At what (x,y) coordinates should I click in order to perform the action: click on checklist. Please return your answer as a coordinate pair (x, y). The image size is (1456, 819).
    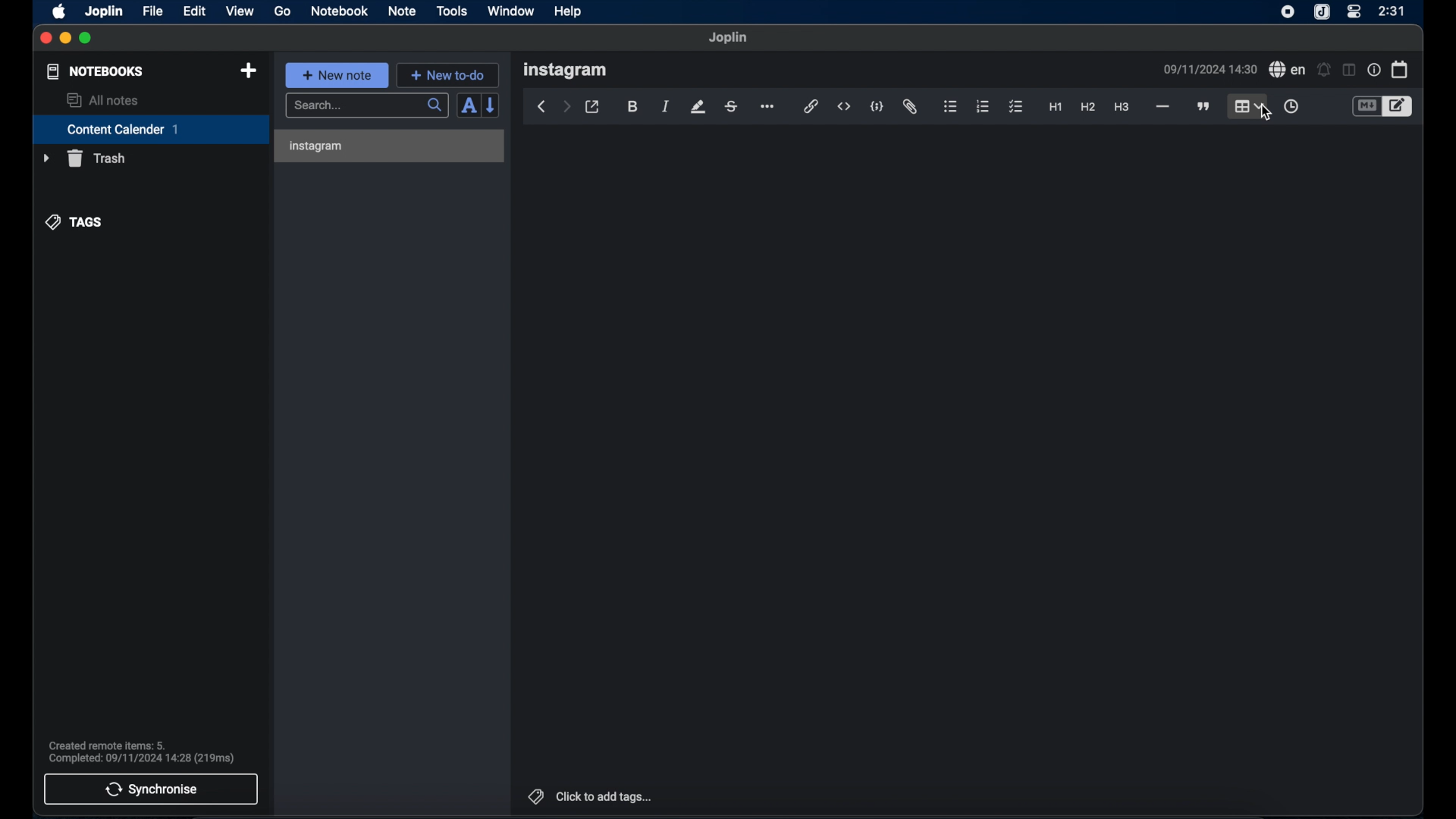
    Looking at the image, I should click on (1017, 108).